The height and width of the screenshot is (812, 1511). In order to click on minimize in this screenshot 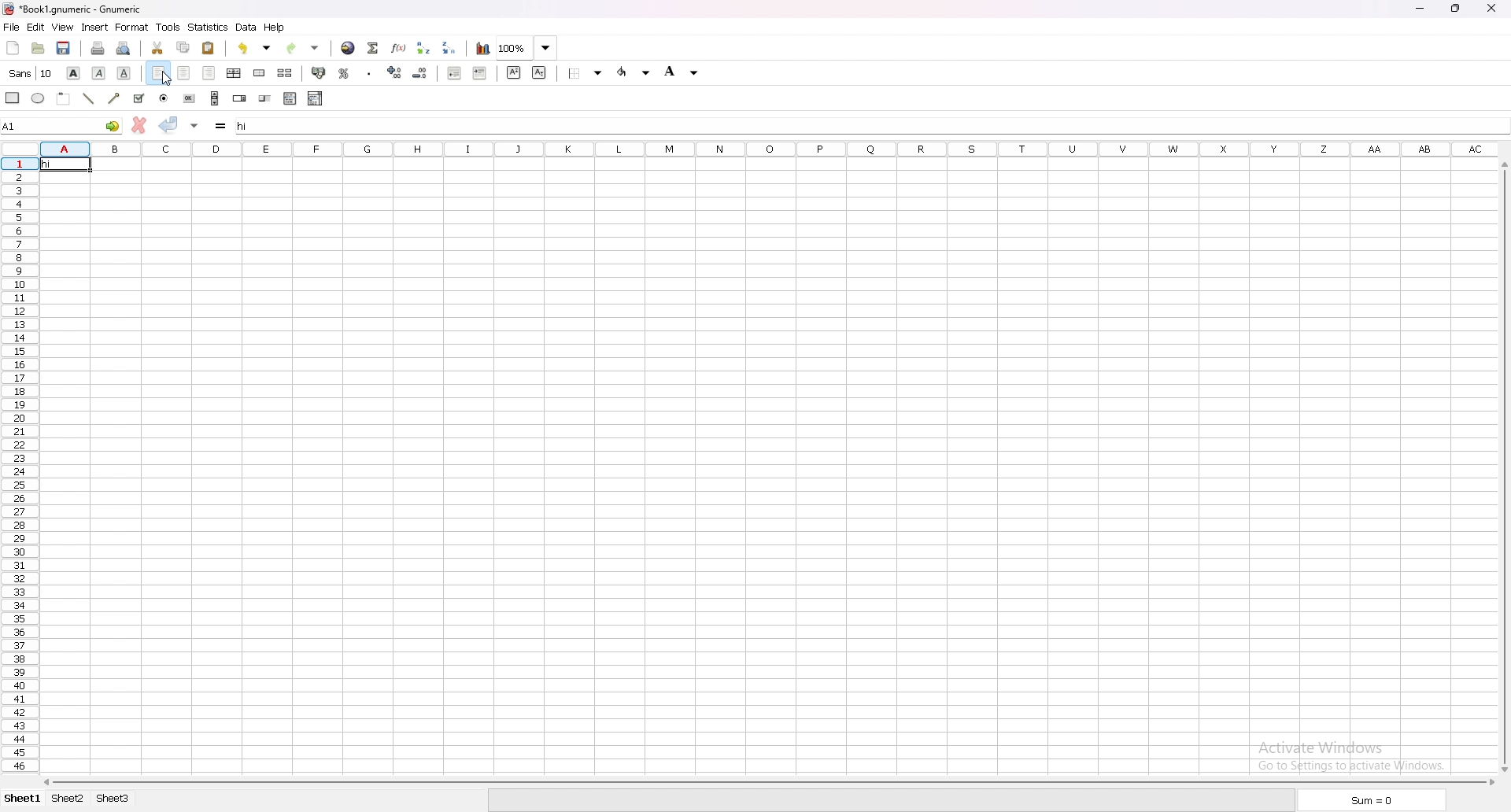, I will do `click(1419, 9)`.